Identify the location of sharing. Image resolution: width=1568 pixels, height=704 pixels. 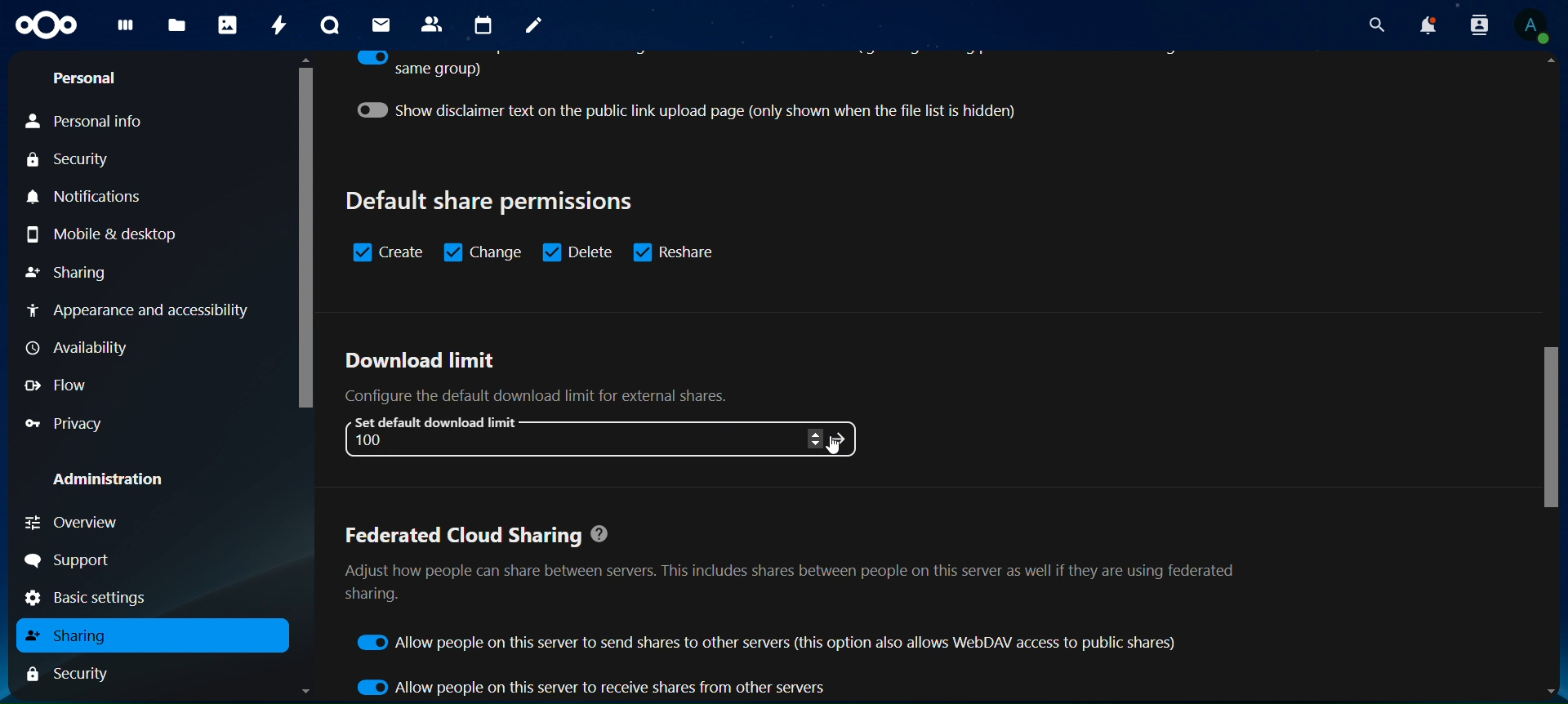
(69, 635).